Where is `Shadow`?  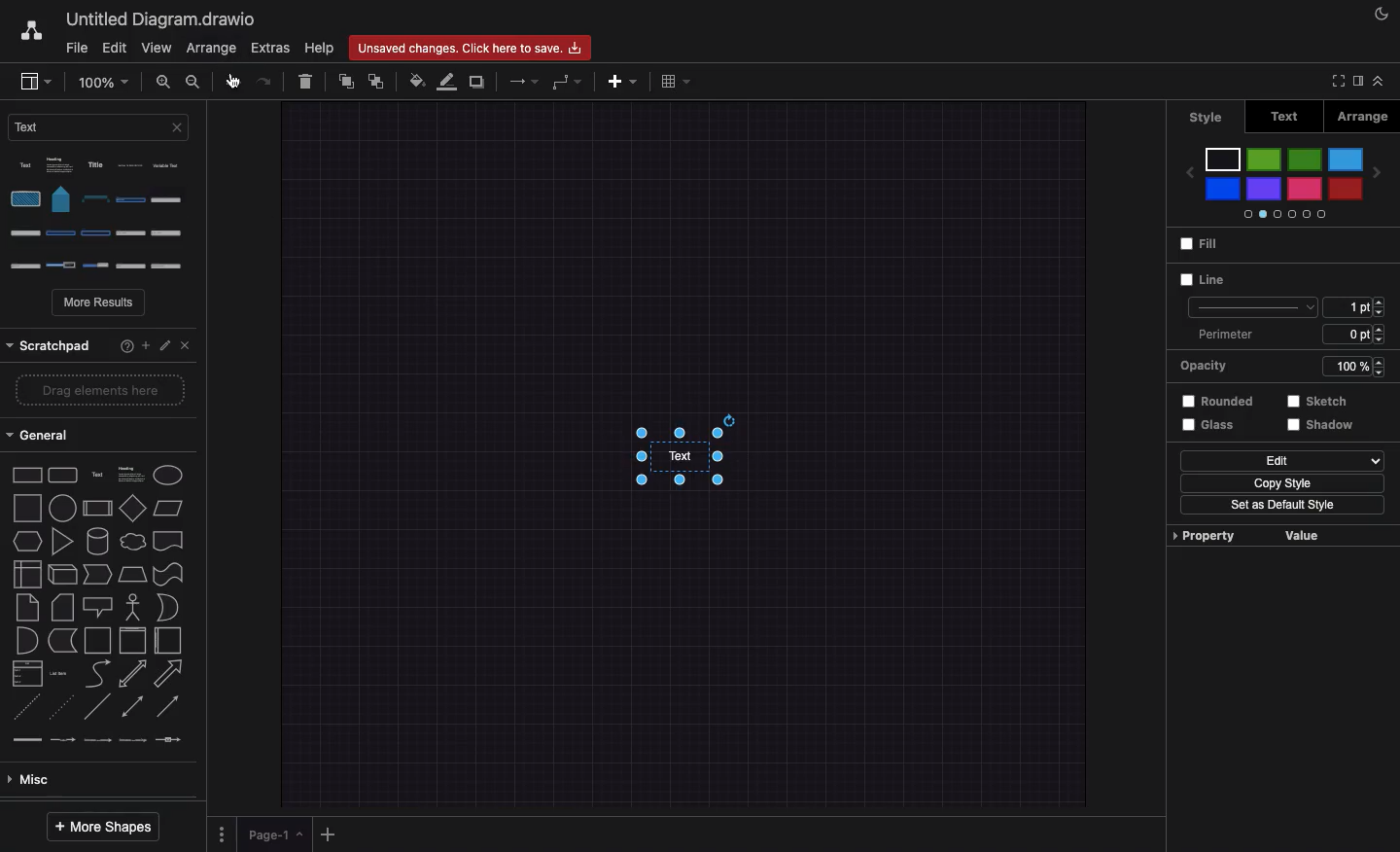
Shadow is located at coordinates (1329, 430).